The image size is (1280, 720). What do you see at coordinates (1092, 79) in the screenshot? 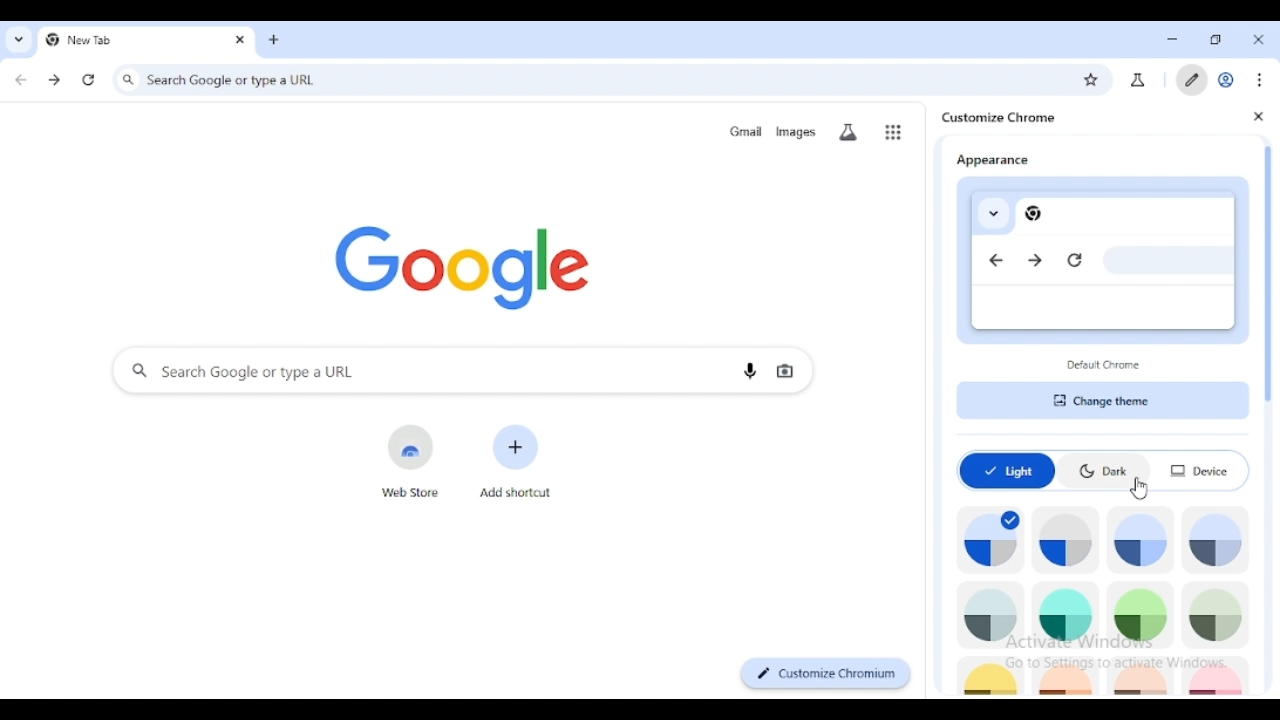
I see `bookmark this tab` at bounding box center [1092, 79].